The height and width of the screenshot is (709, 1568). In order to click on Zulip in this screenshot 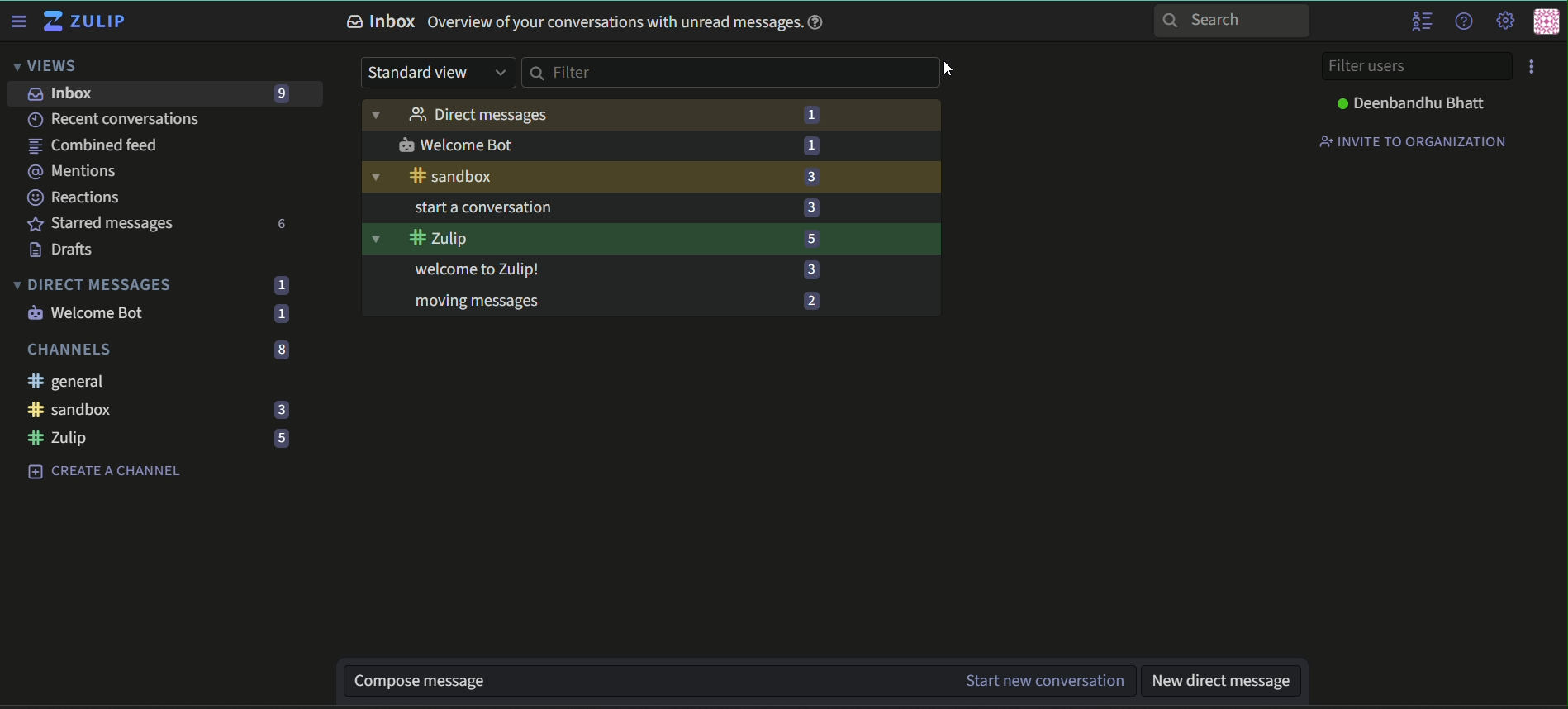, I will do `click(58, 438)`.